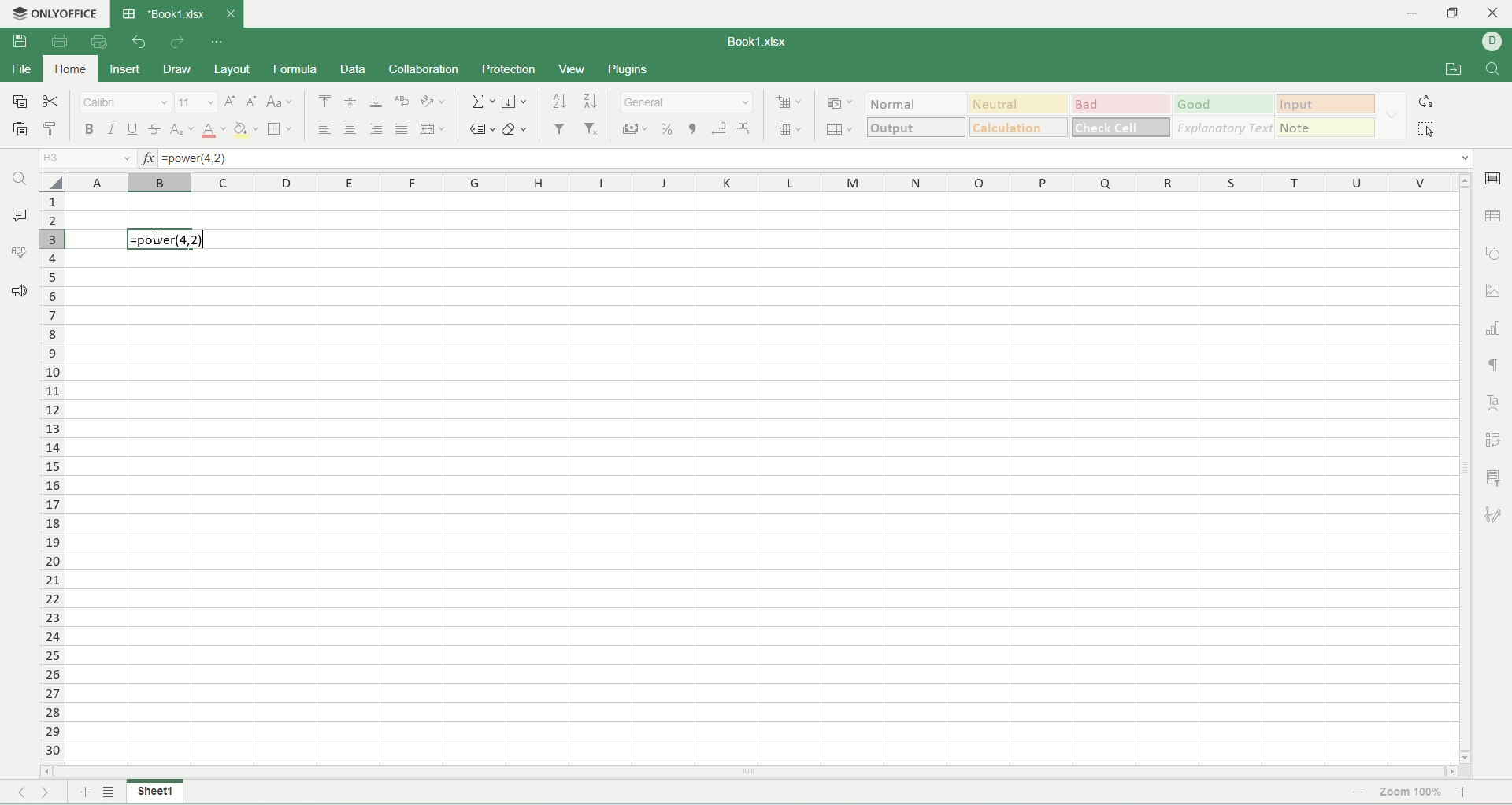 The width and height of the screenshot is (1512, 805). What do you see at coordinates (1454, 17) in the screenshot?
I see `maximize` at bounding box center [1454, 17].